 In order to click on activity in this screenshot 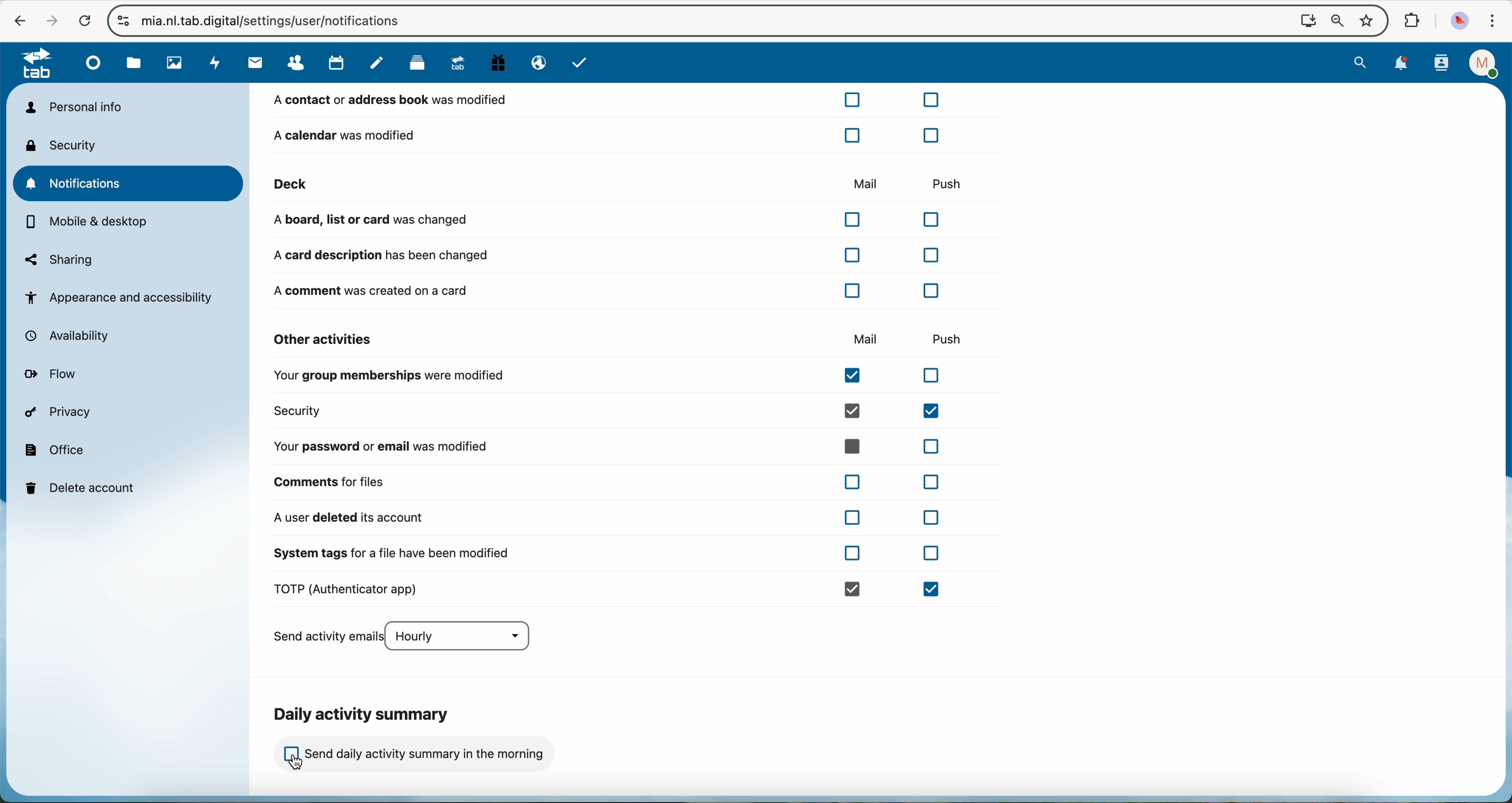, I will do `click(214, 63)`.